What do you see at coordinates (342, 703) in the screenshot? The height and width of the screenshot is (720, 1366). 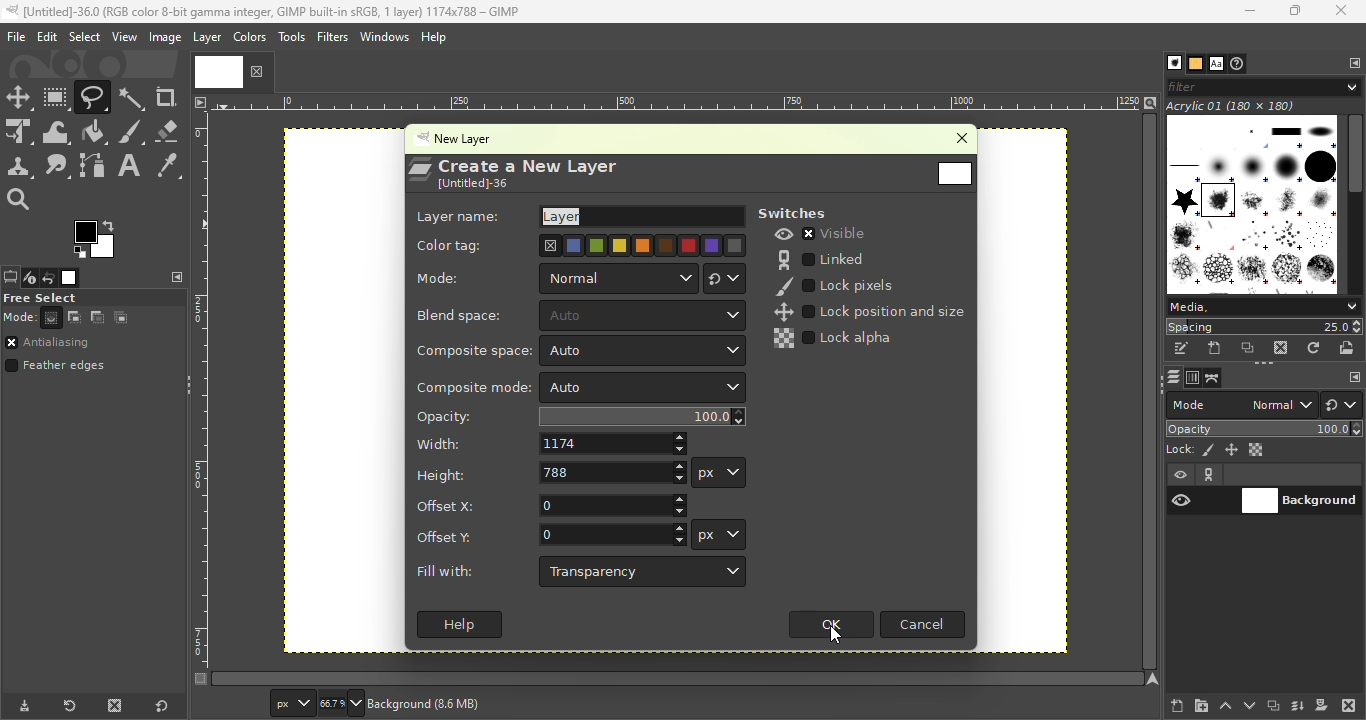 I see `Enter image size` at bounding box center [342, 703].